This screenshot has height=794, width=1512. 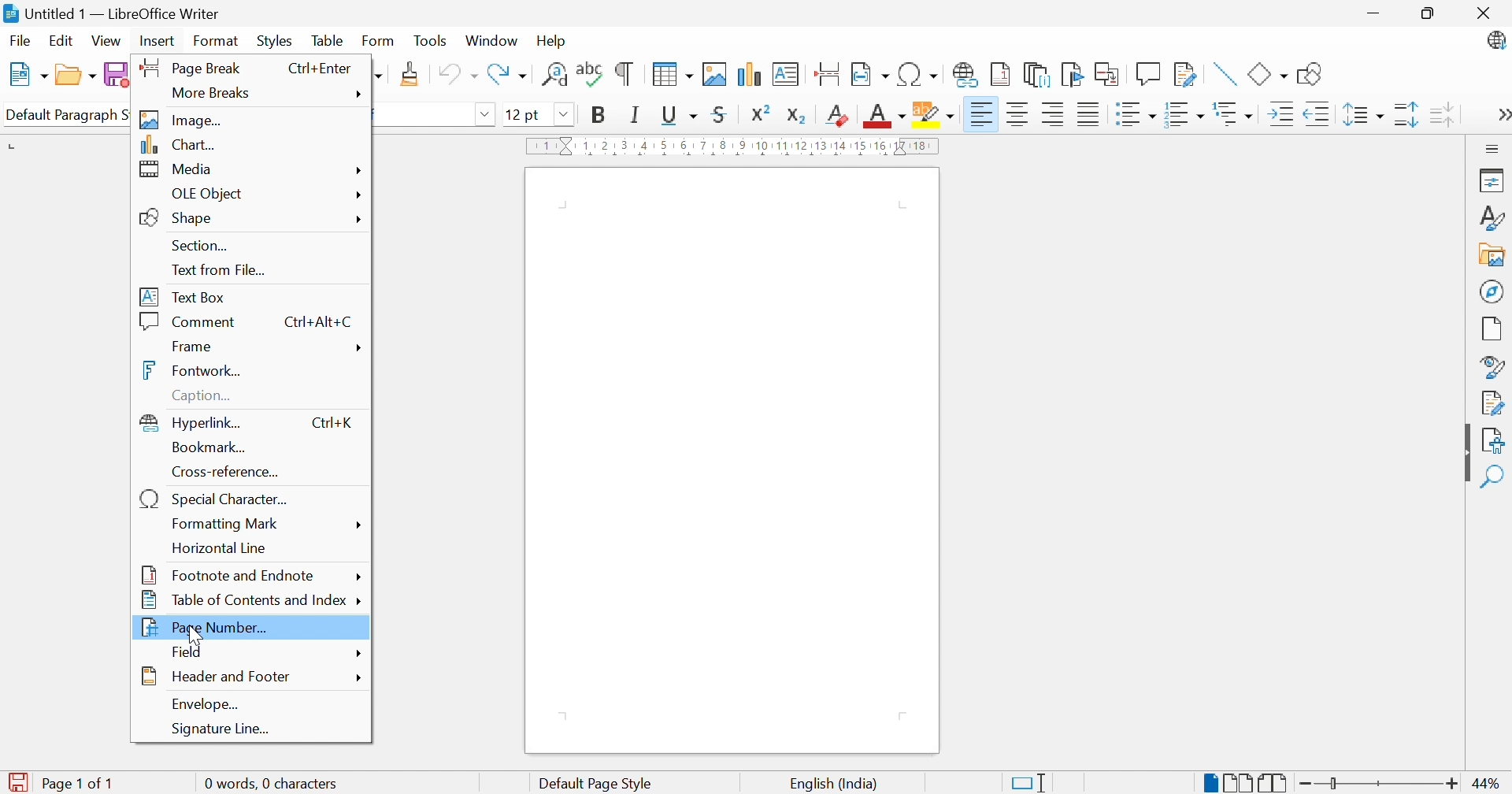 I want to click on More, so click(x=358, y=679).